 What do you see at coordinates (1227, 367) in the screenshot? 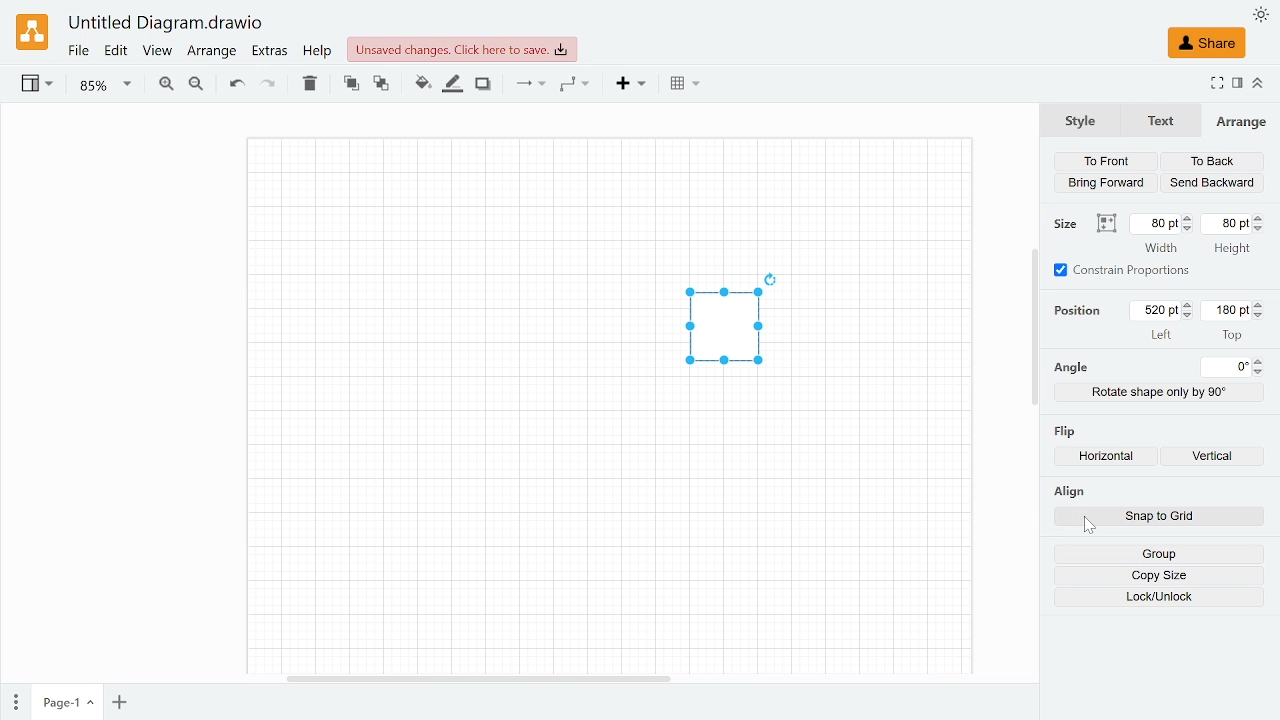
I see `Current angle(0%)` at bounding box center [1227, 367].